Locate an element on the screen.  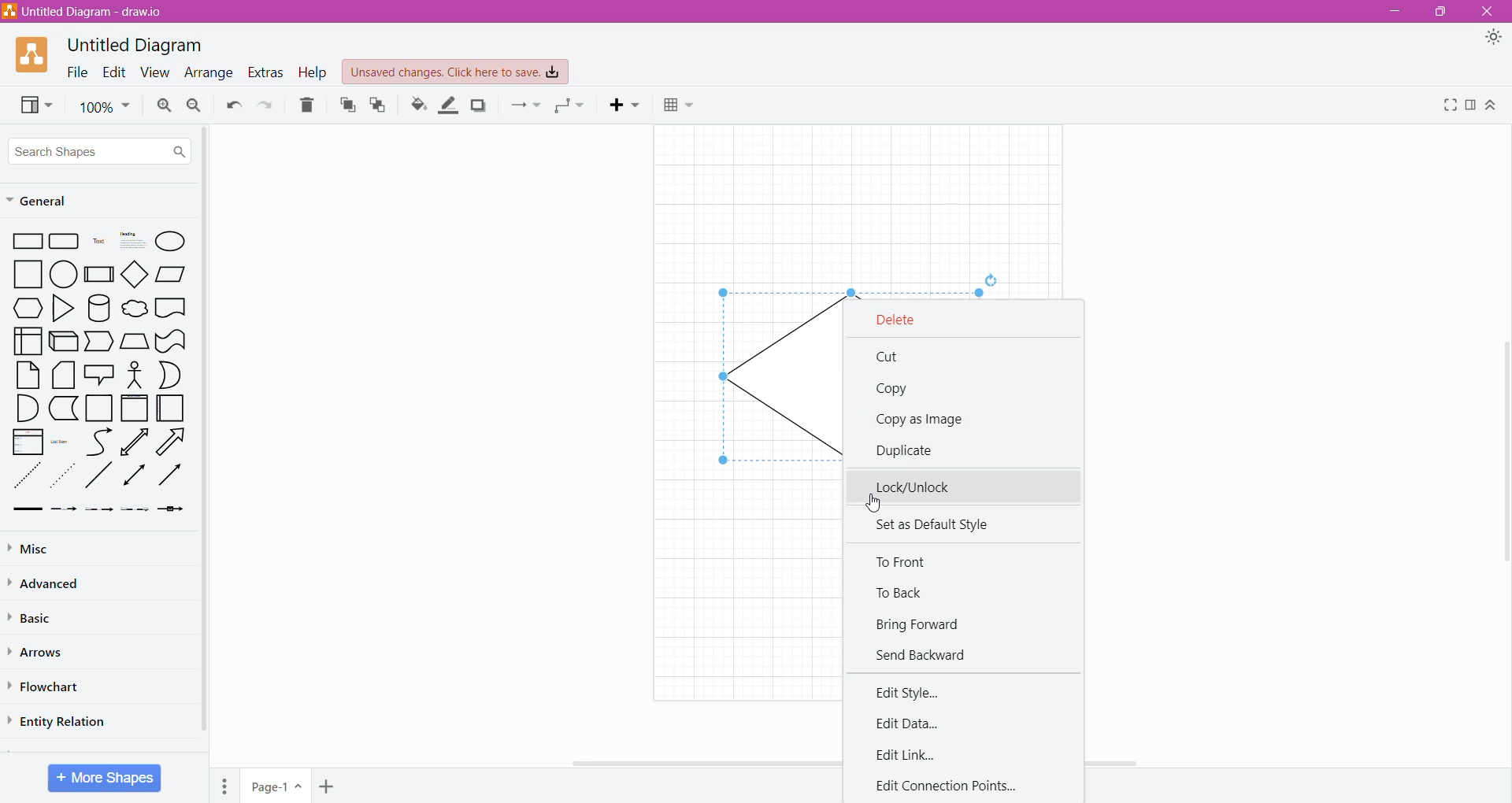
To Back is located at coordinates (902, 595).